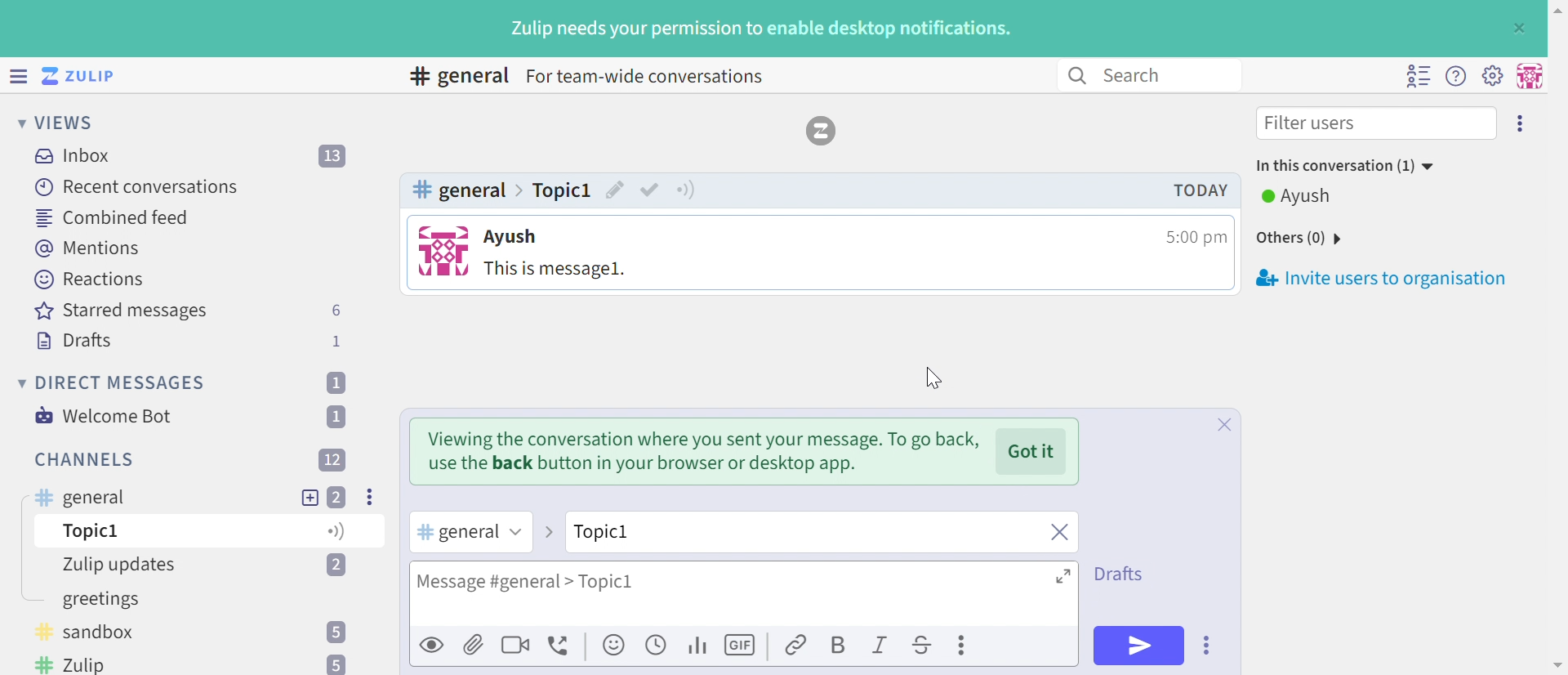 This screenshot has width=1568, height=675. Describe the element at coordinates (105, 416) in the screenshot. I see `Welcome Bot` at that location.